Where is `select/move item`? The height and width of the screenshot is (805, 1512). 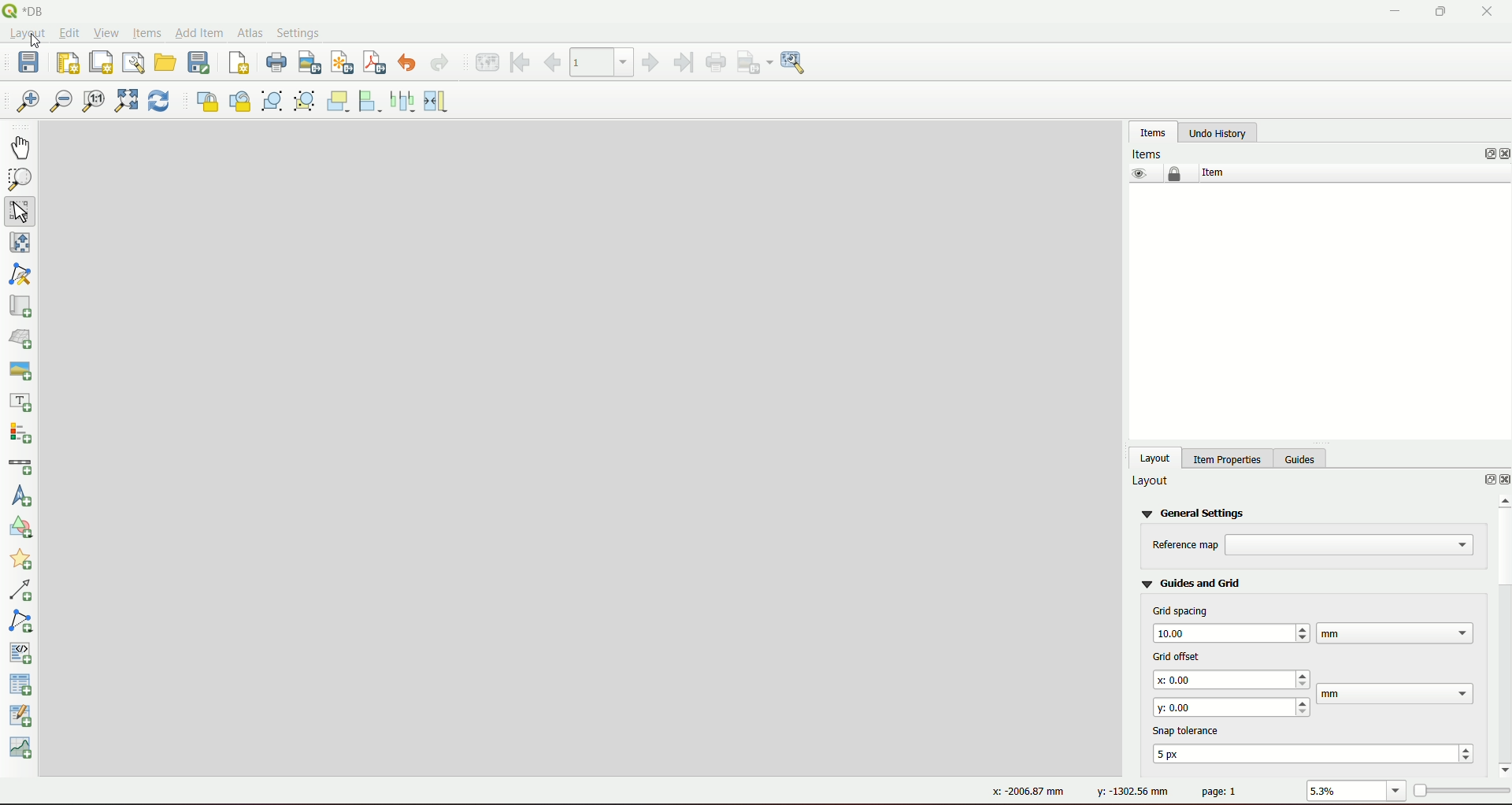
select/move item is located at coordinates (22, 211).